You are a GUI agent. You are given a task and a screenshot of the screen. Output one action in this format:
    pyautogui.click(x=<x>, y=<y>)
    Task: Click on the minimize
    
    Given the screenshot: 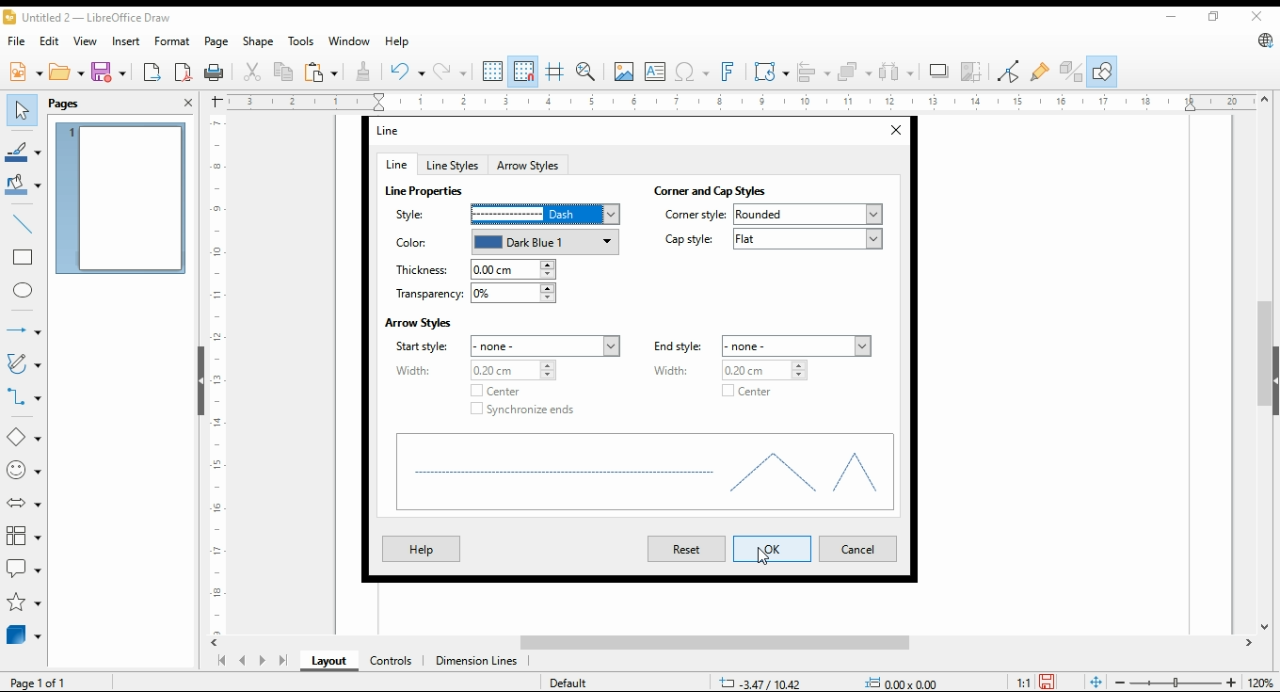 What is the action you would take?
    pyautogui.click(x=1174, y=13)
    